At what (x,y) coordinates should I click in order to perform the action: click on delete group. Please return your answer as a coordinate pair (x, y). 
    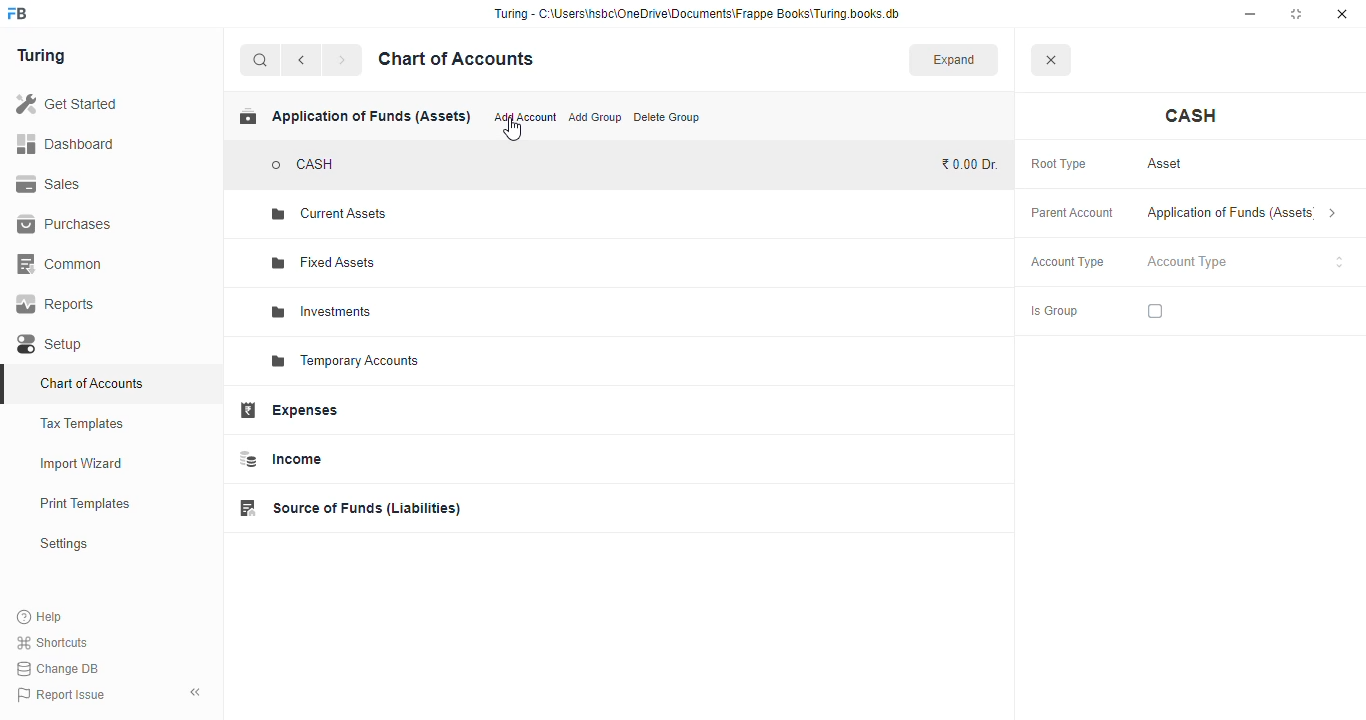
    Looking at the image, I should click on (667, 117).